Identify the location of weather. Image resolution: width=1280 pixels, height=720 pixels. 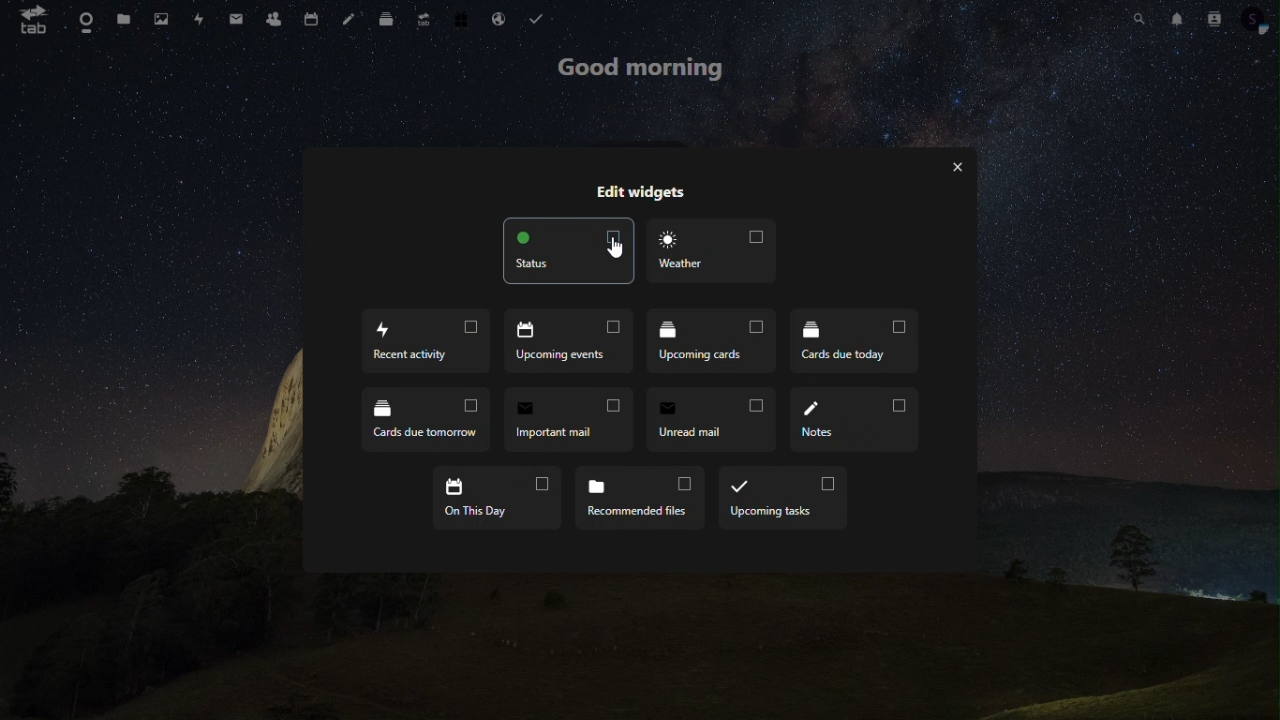
(716, 251).